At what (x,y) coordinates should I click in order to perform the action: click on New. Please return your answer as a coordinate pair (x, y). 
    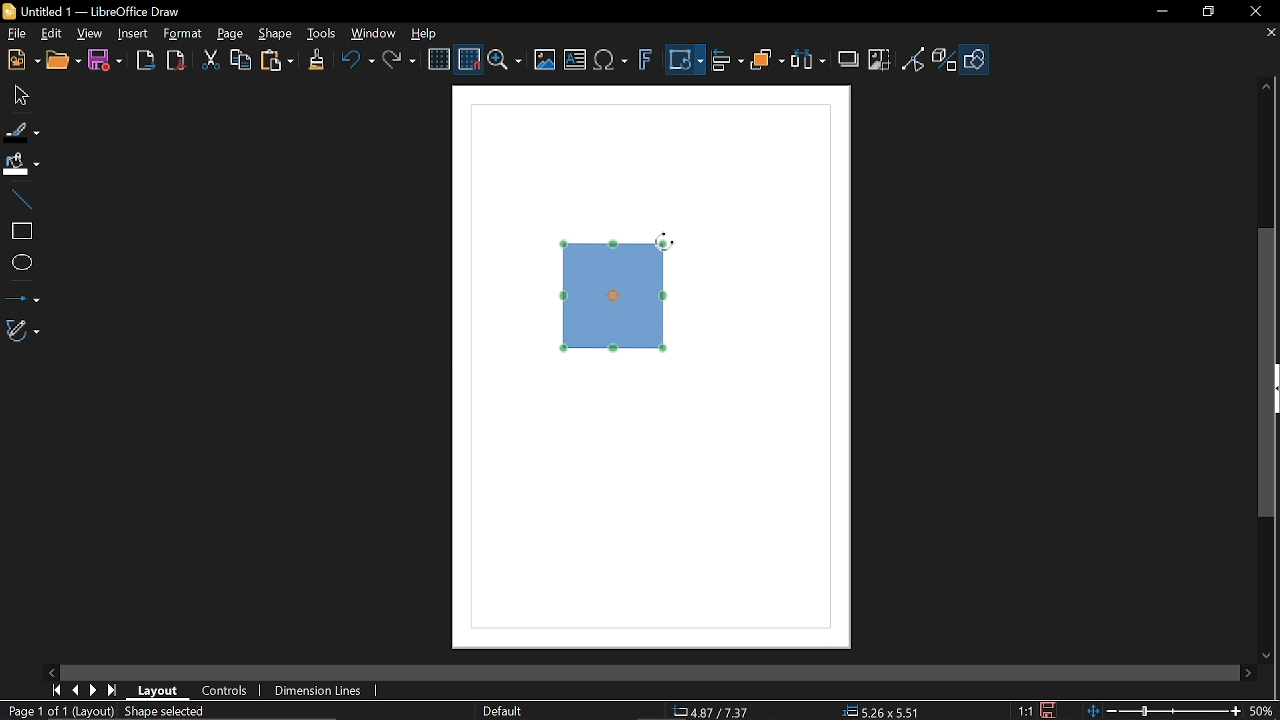
    Looking at the image, I should click on (22, 59).